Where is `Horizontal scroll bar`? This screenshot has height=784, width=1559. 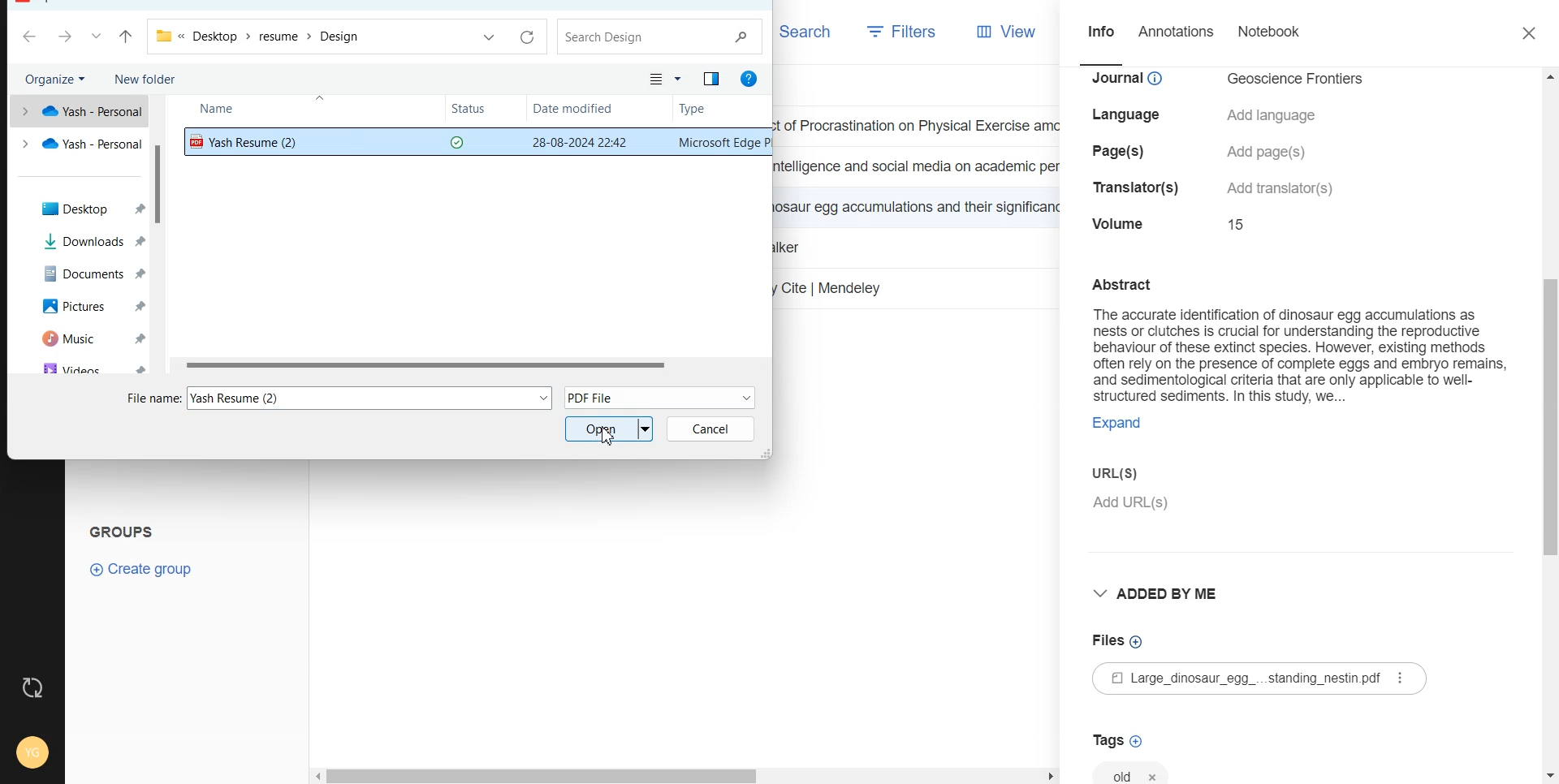
Horizontal scroll bar is located at coordinates (685, 776).